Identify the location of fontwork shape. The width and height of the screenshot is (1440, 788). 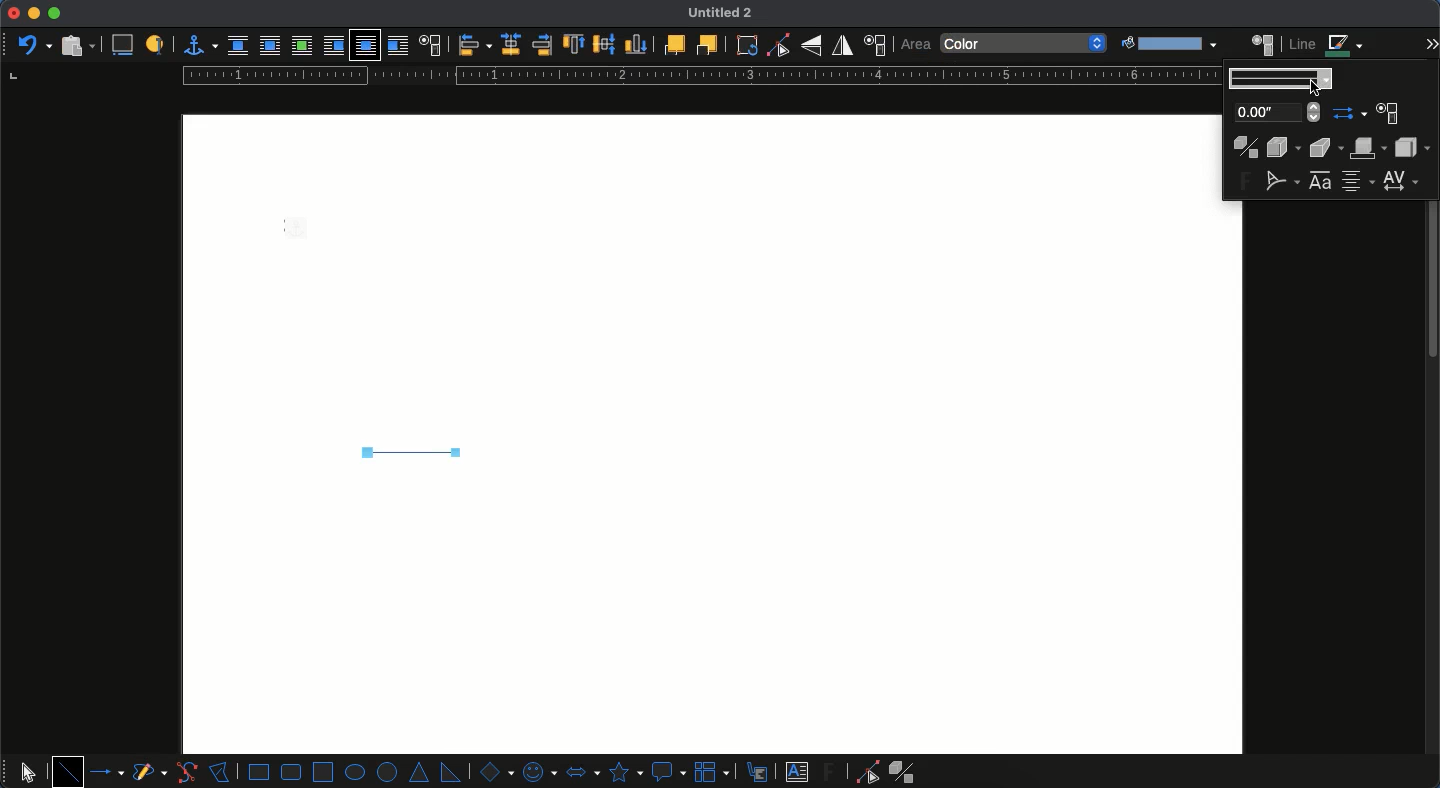
(1283, 180).